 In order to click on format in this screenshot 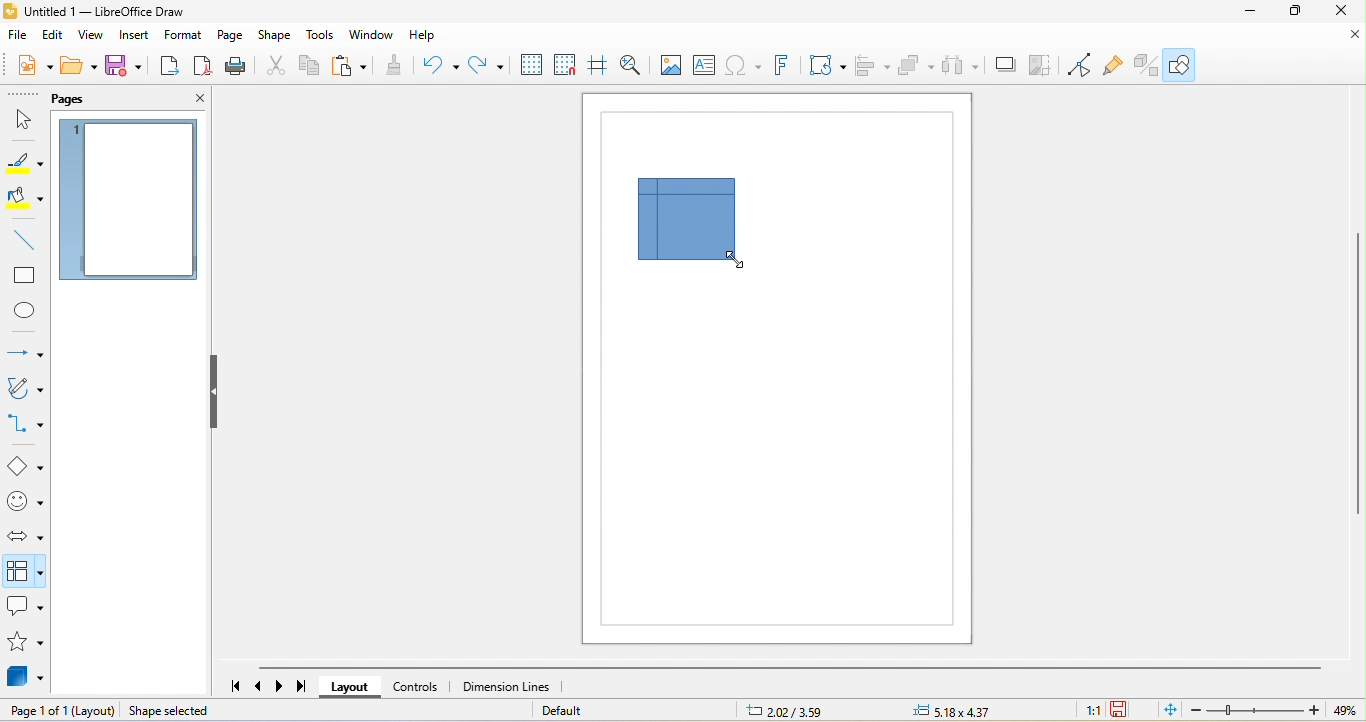, I will do `click(186, 36)`.